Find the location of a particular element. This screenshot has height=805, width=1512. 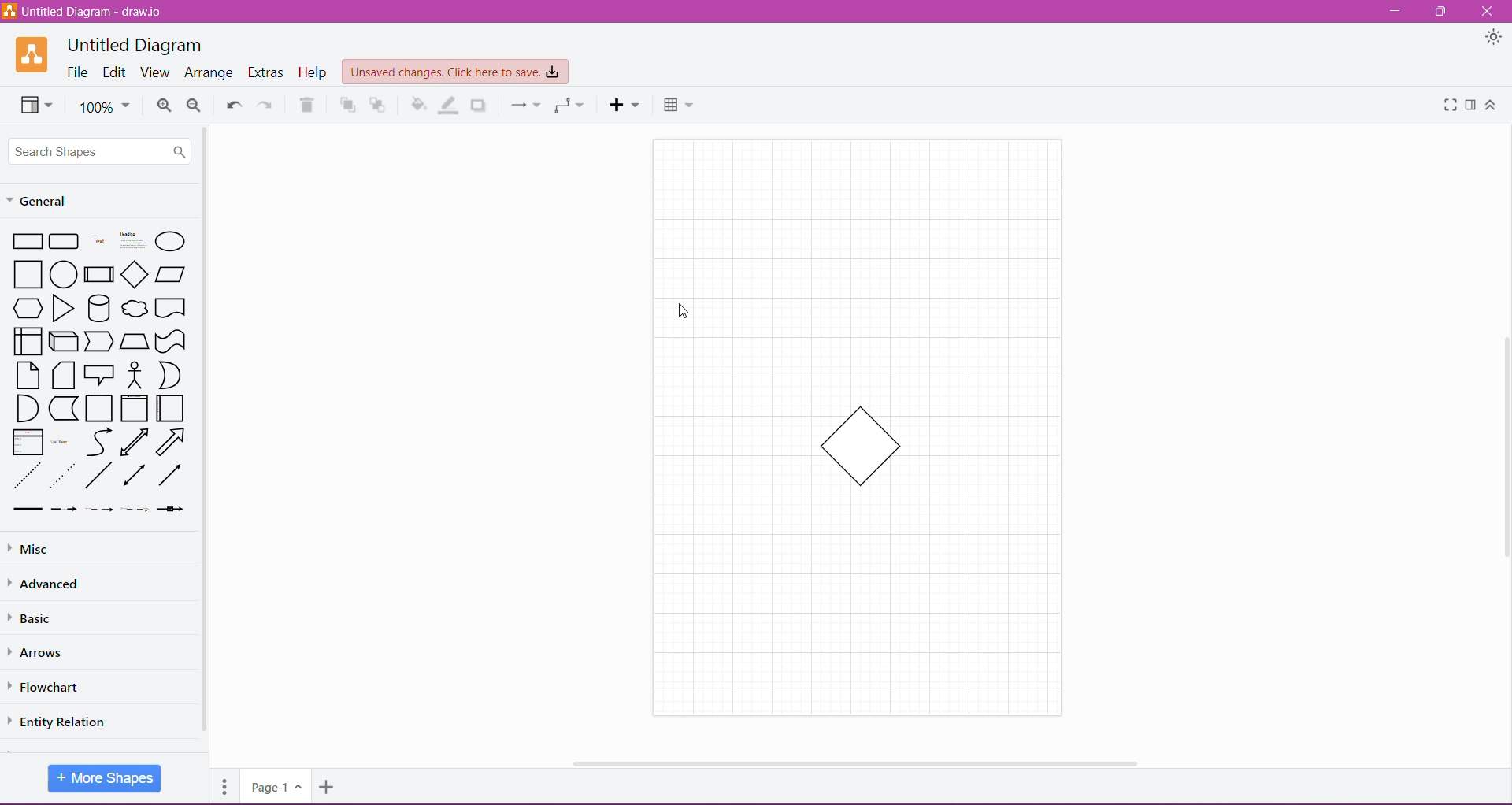

Zoom In is located at coordinates (164, 106).